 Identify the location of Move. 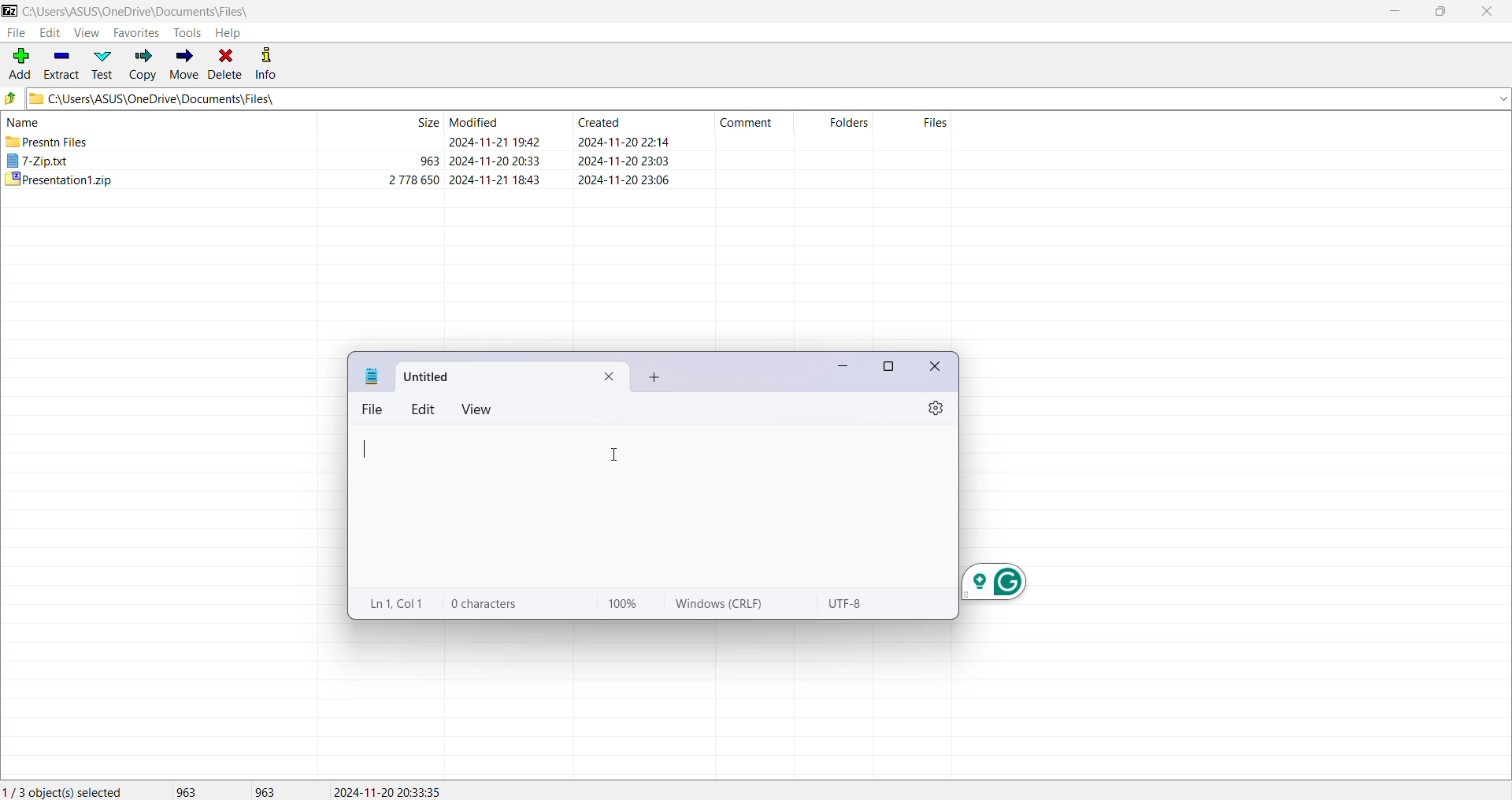
(183, 65).